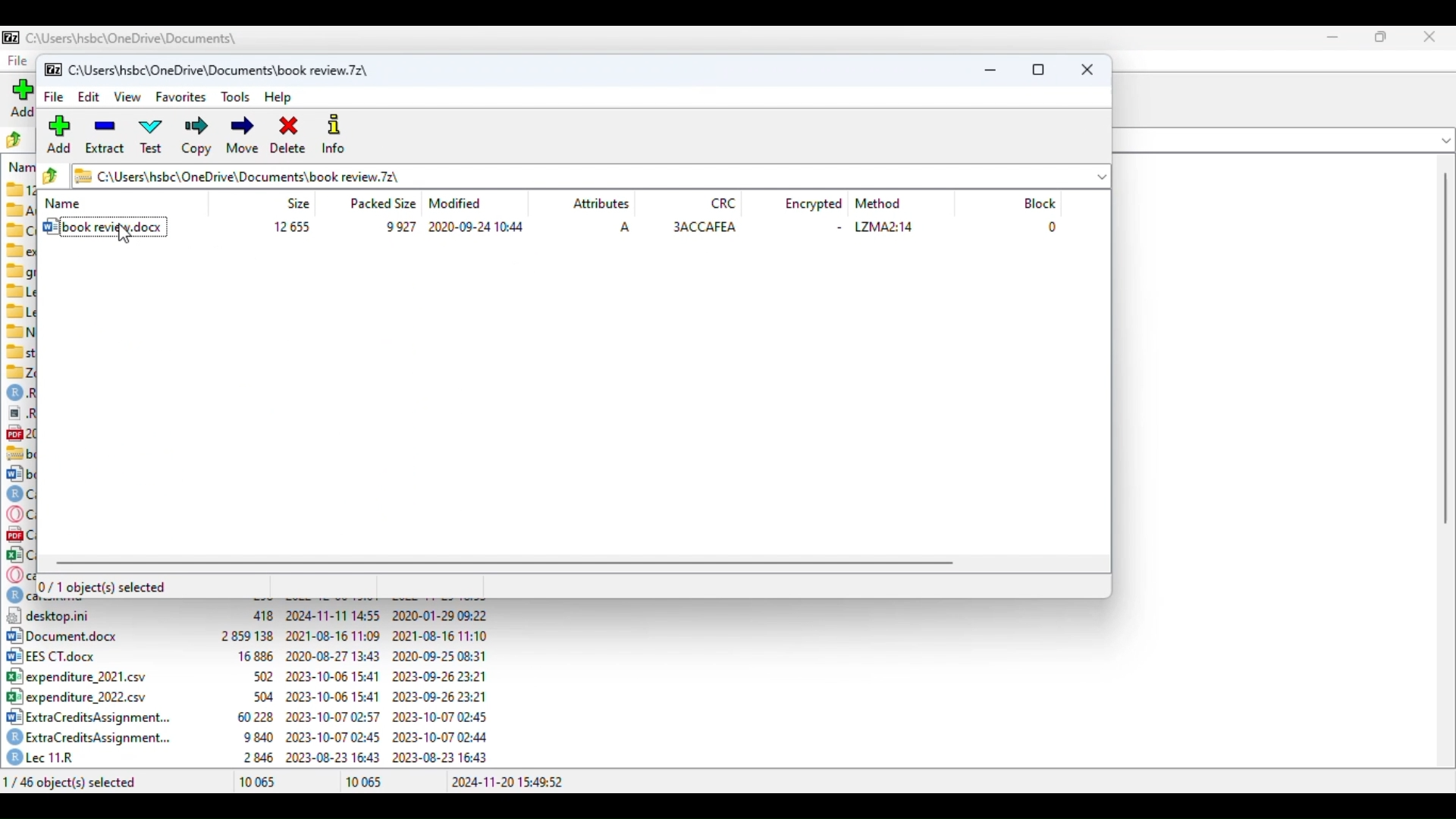  What do you see at coordinates (384, 203) in the screenshot?
I see `packed size` at bounding box center [384, 203].